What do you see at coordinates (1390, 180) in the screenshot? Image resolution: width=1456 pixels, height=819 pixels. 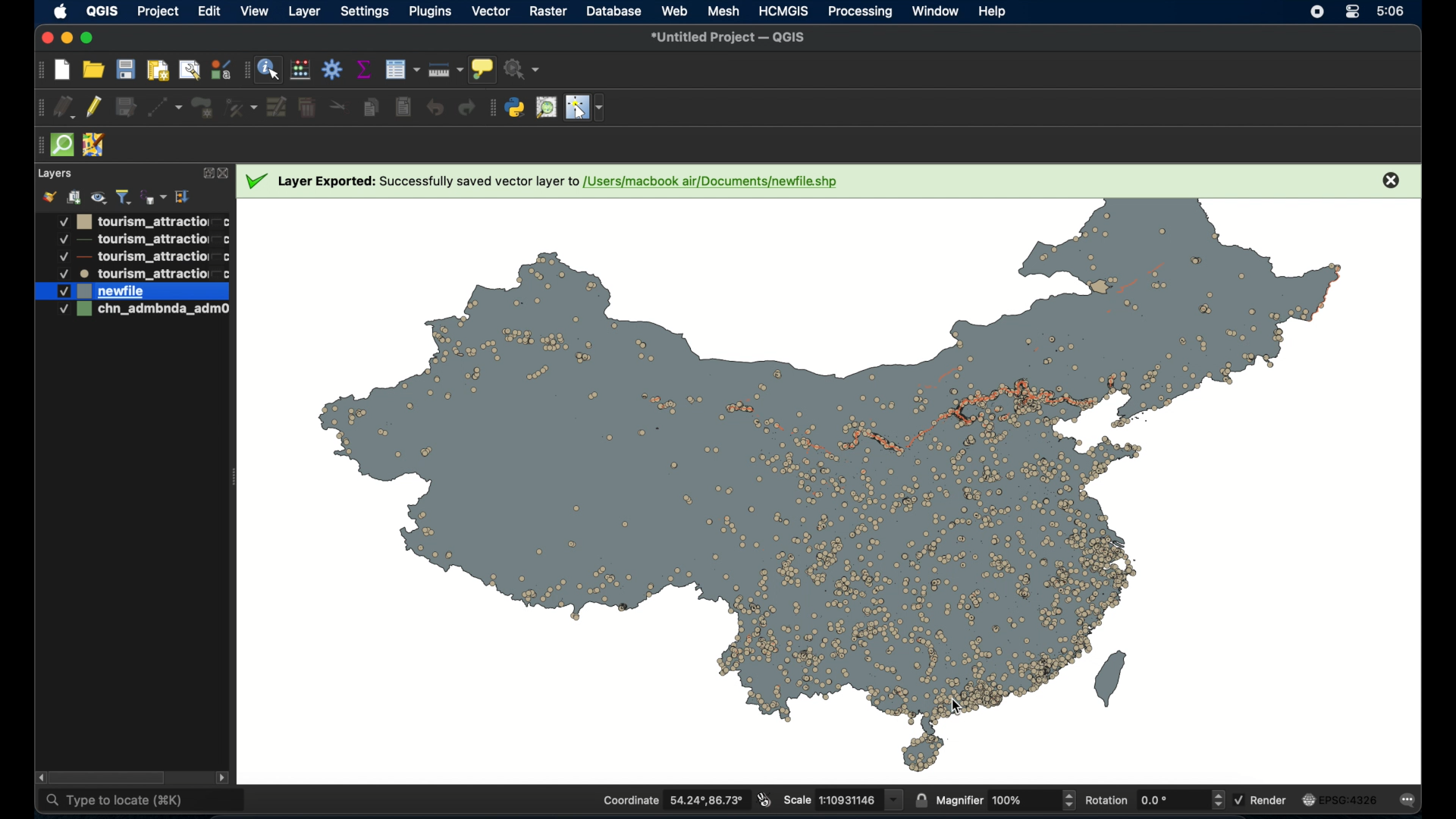 I see `close` at bounding box center [1390, 180].